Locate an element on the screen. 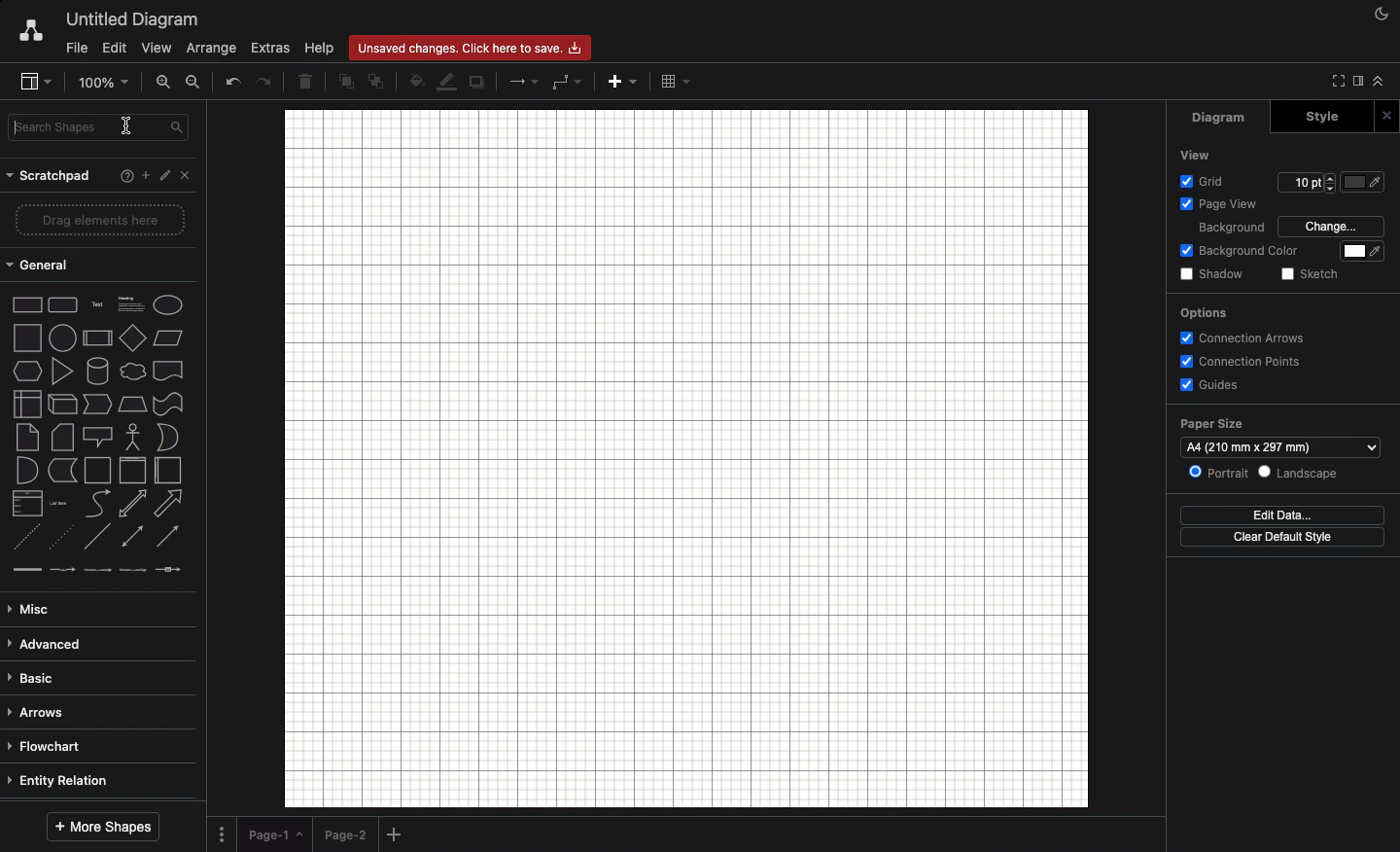  Options is located at coordinates (1210, 311).